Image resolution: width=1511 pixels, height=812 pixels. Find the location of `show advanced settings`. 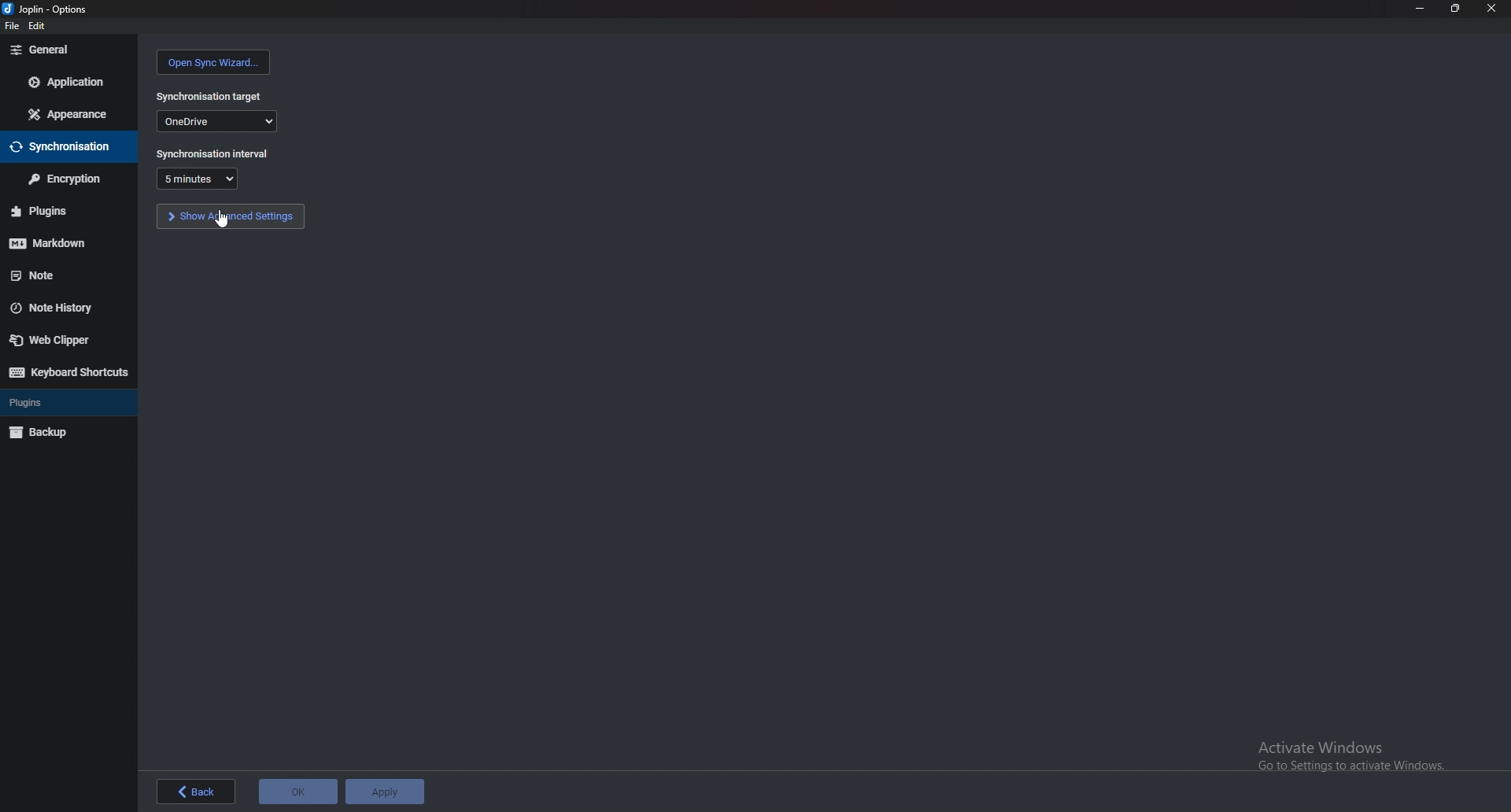

show advanced settings is located at coordinates (231, 216).